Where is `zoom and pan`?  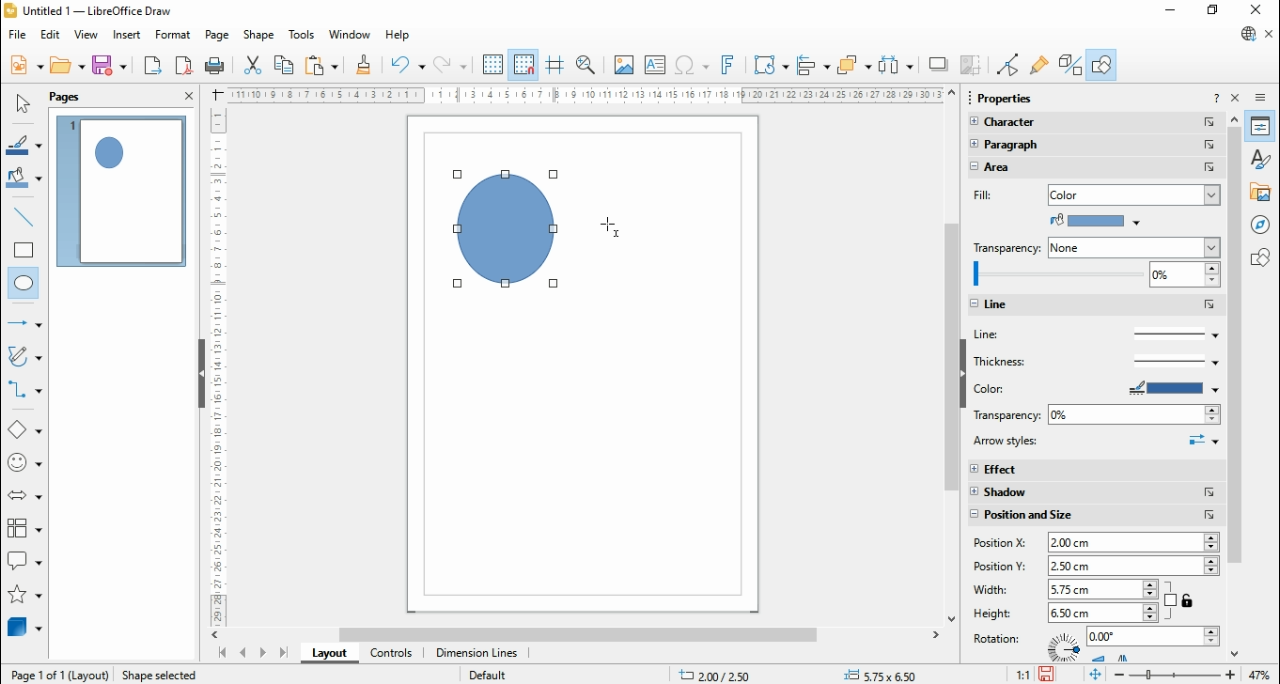
zoom and pan is located at coordinates (586, 66).